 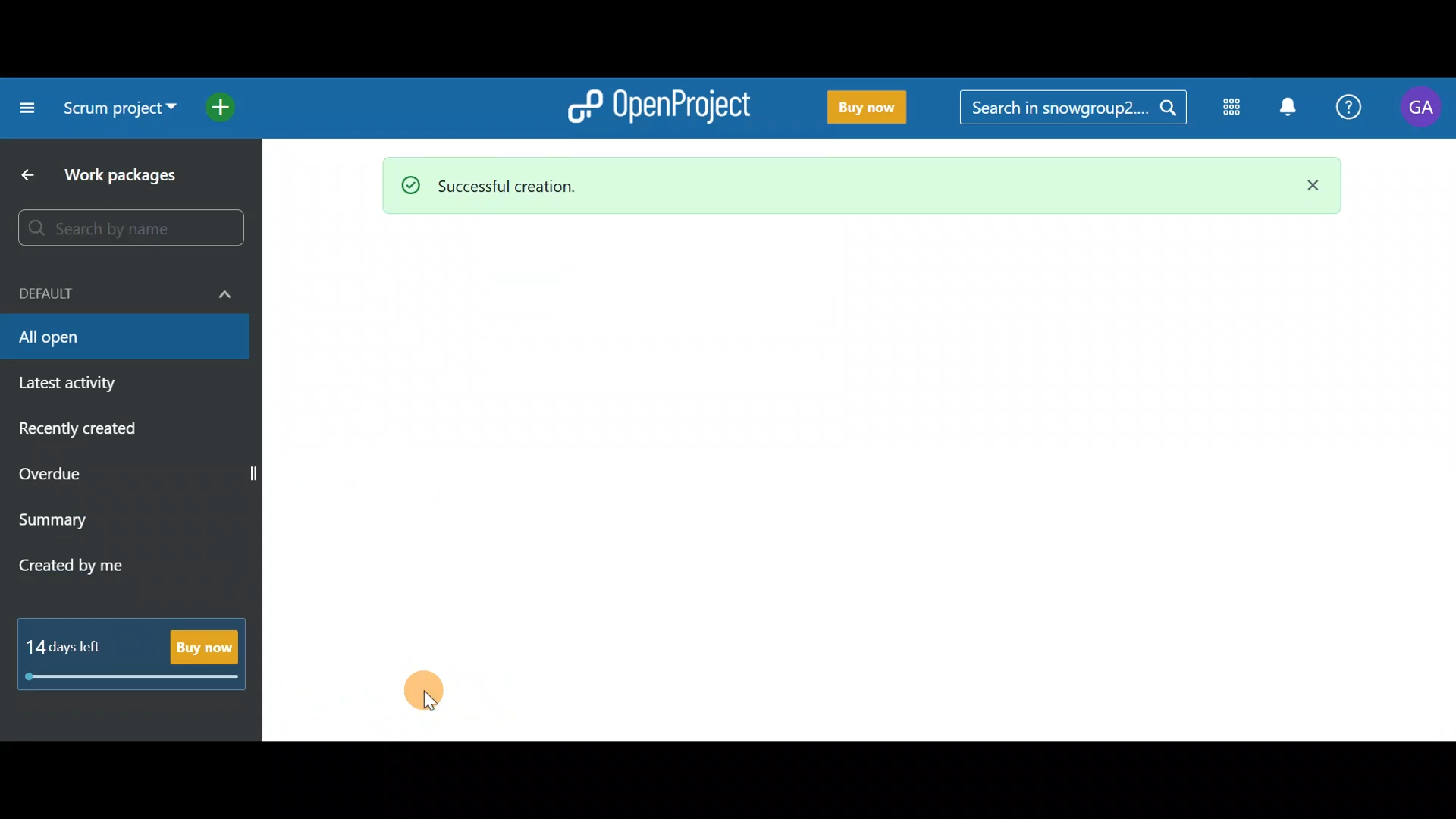 I want to click on © Successful creation., so click(x=809, y=185).